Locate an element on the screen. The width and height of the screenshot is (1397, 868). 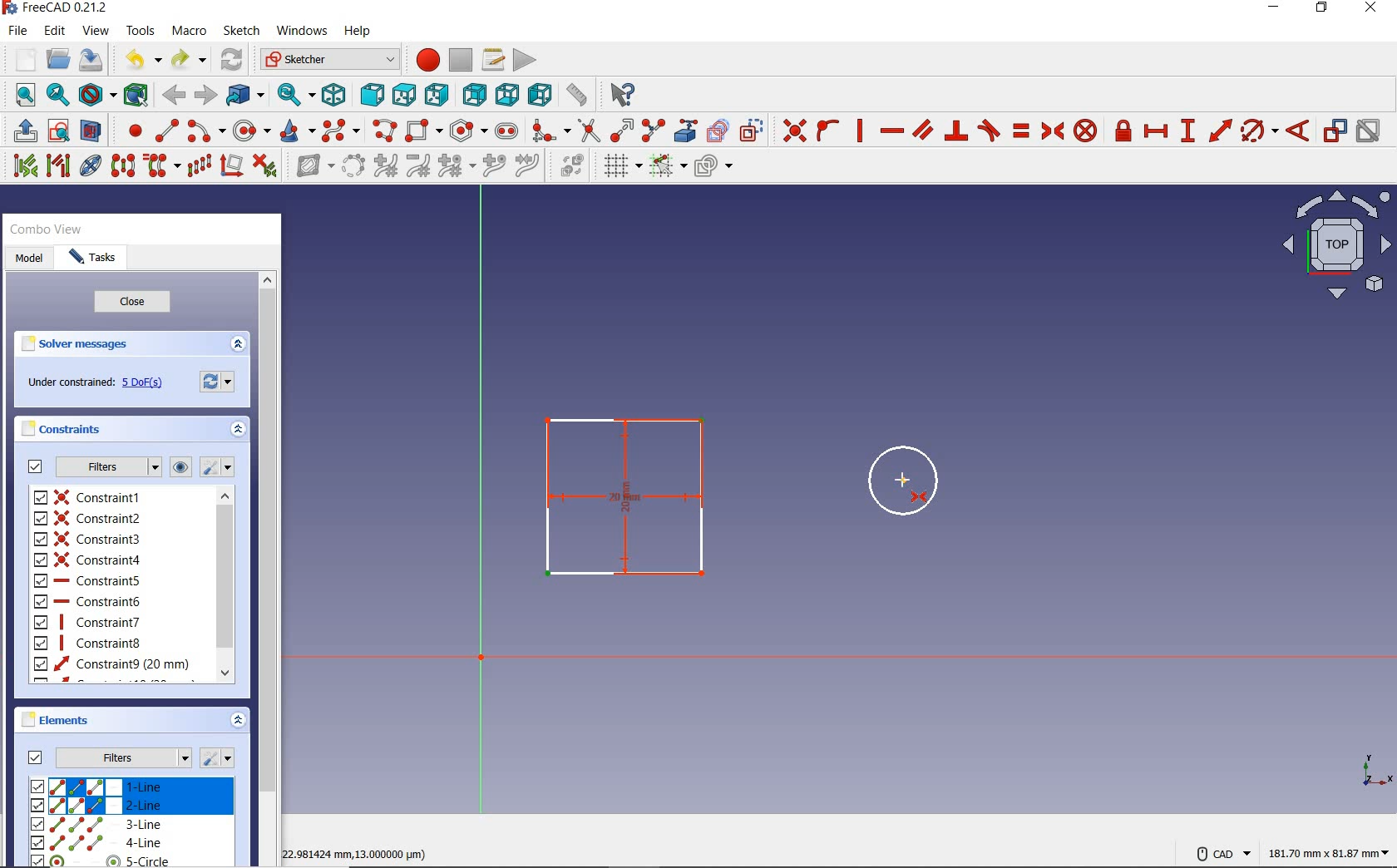
forward is located at coordinates (207, 95).